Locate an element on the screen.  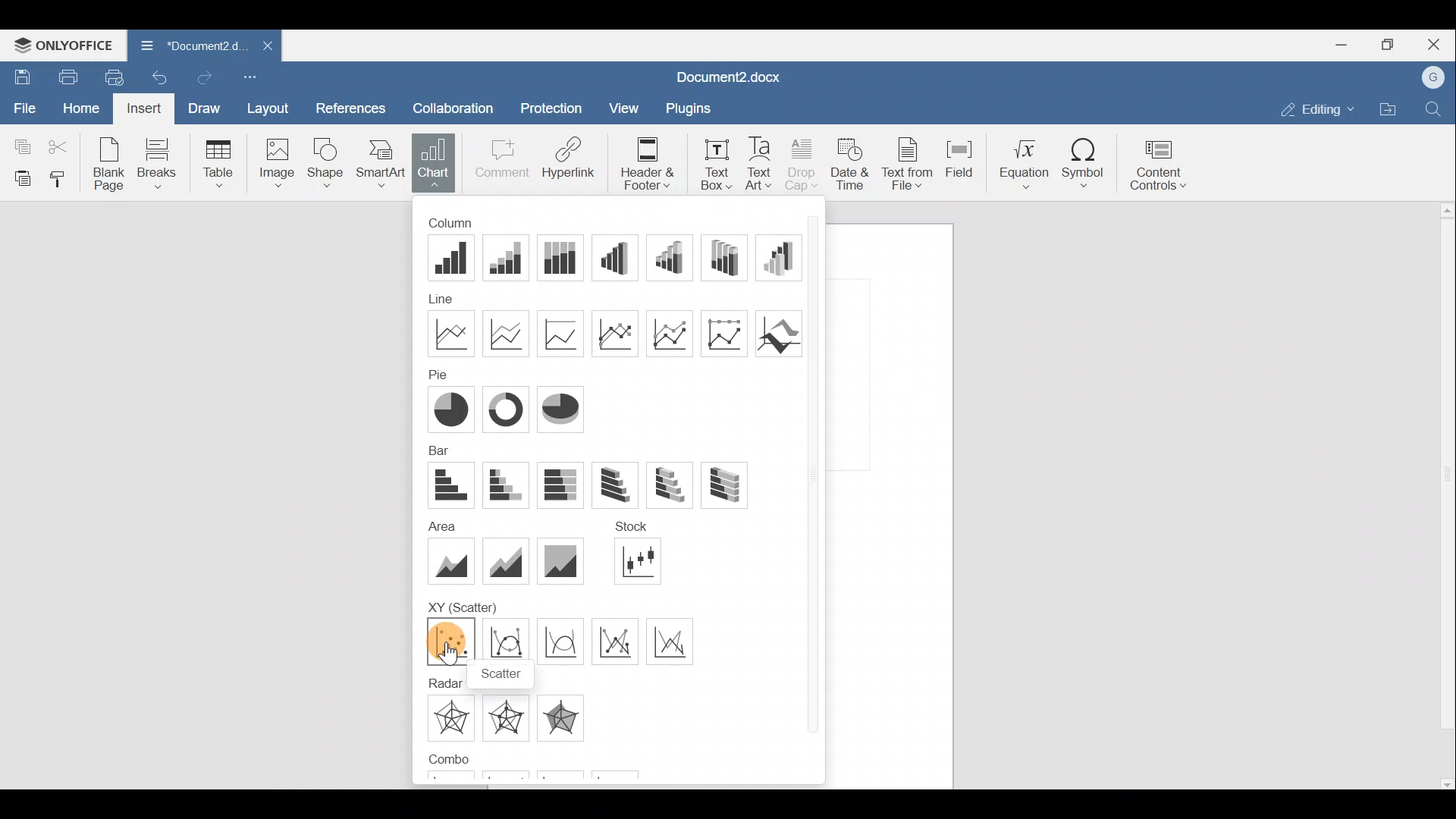
Clustered column-line is located at coordinates (447, 780).